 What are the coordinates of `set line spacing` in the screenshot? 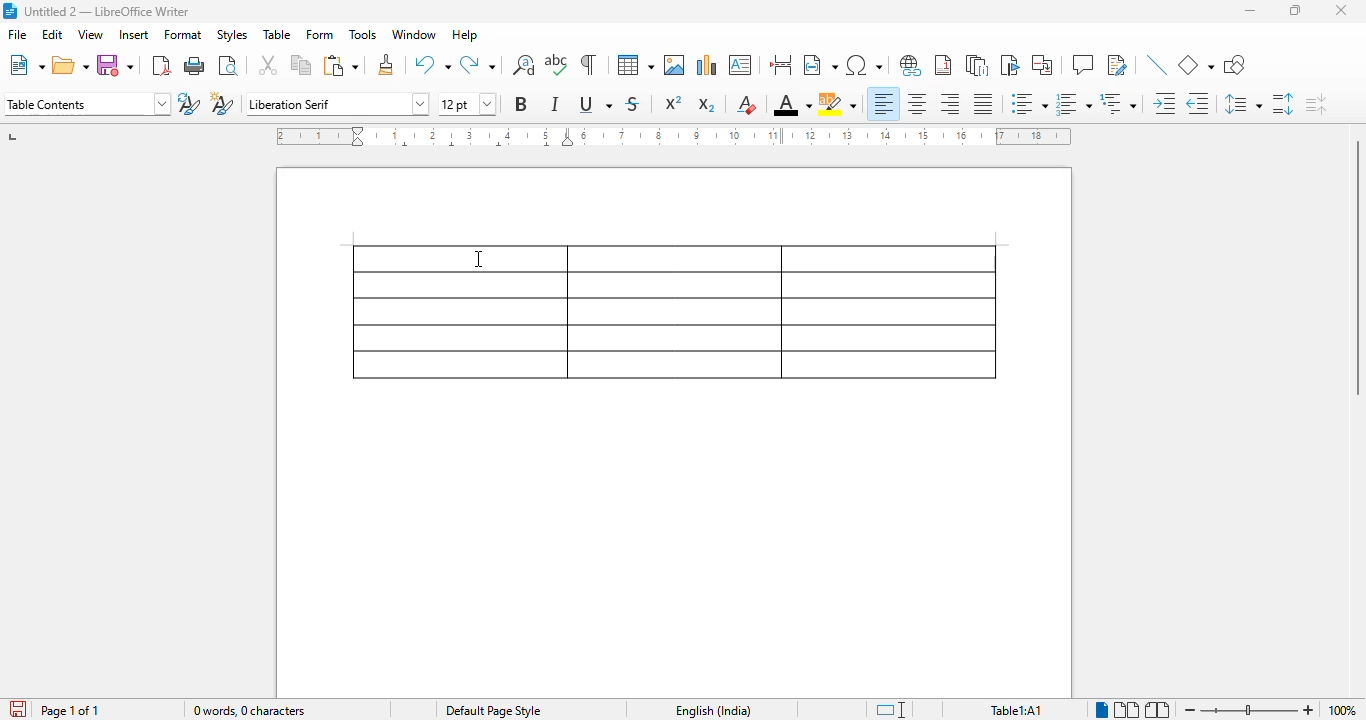 It's located at (1242, 104).